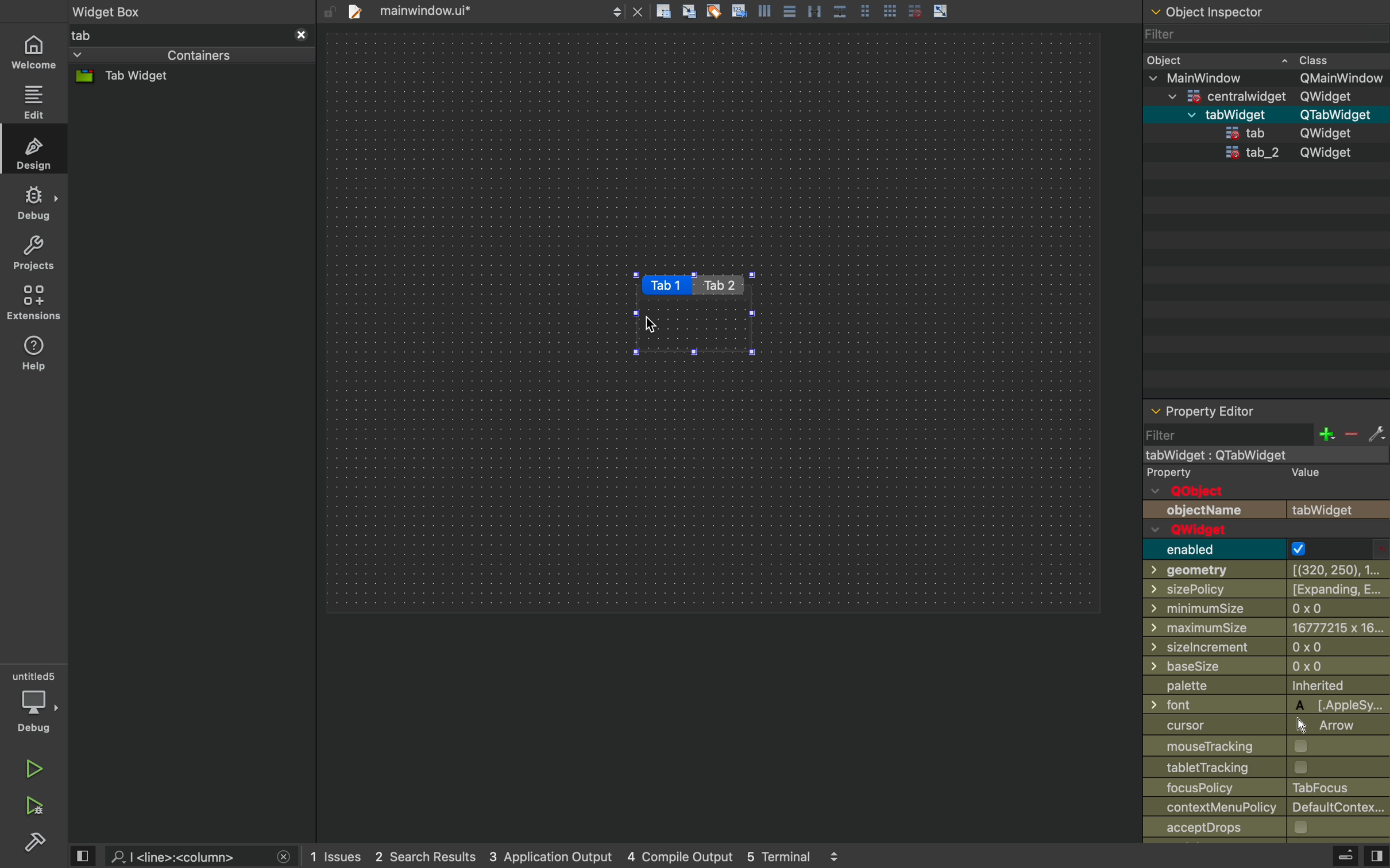 This screenshot has width=1390, height=868. Describe the element at coordinates (1264, 610) in the screenshot. I see `minimumsize` at that location.